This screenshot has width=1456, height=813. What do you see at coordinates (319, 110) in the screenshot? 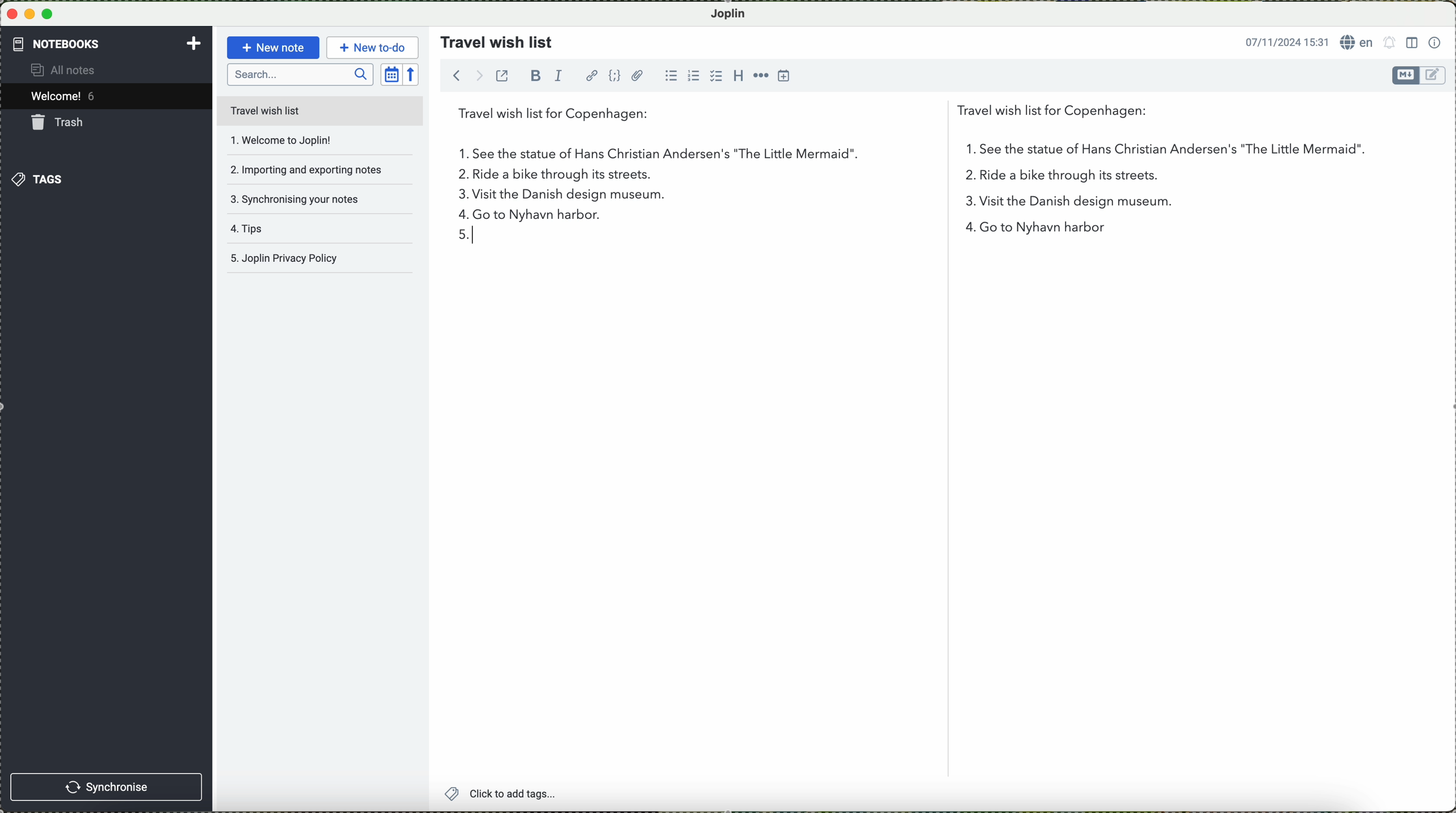
I see `travel wish list file` at bounding box center [319, 110].